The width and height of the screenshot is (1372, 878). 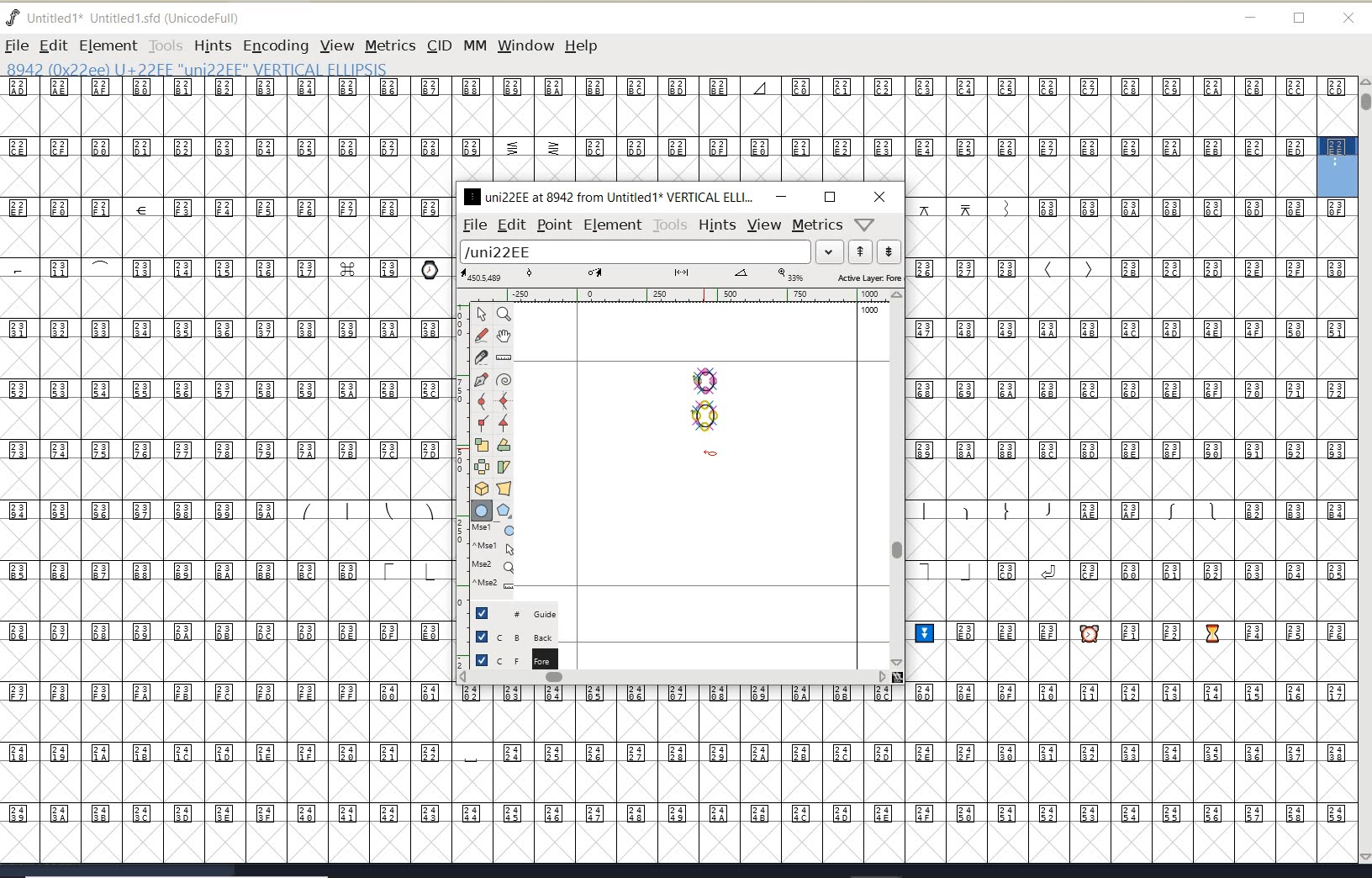 What do you see at coordinates (584, 47) in the screenshot?
I see `help` at bounding box center [584, 47].